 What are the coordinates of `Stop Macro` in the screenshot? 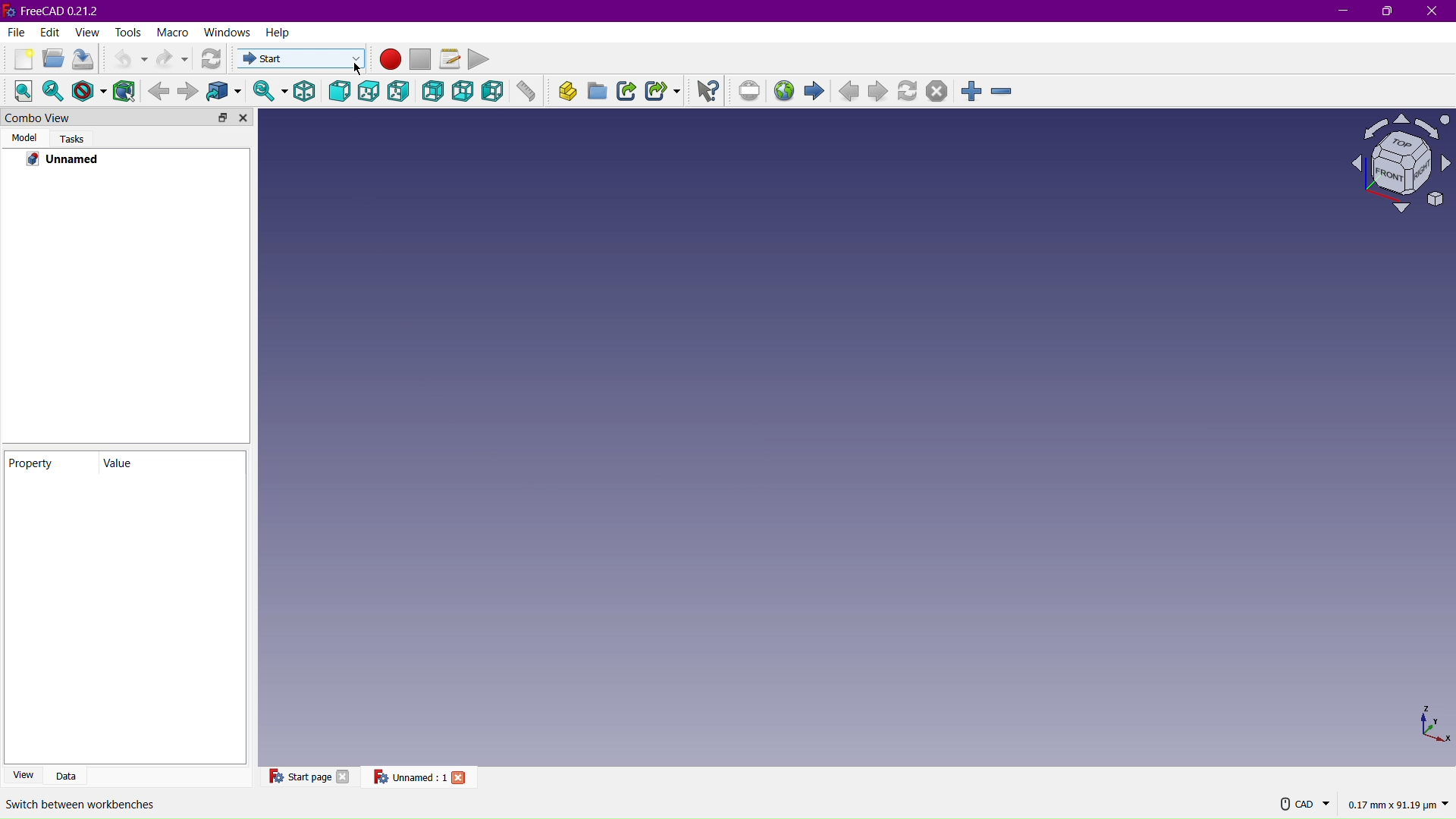 It's located at (422, 59).